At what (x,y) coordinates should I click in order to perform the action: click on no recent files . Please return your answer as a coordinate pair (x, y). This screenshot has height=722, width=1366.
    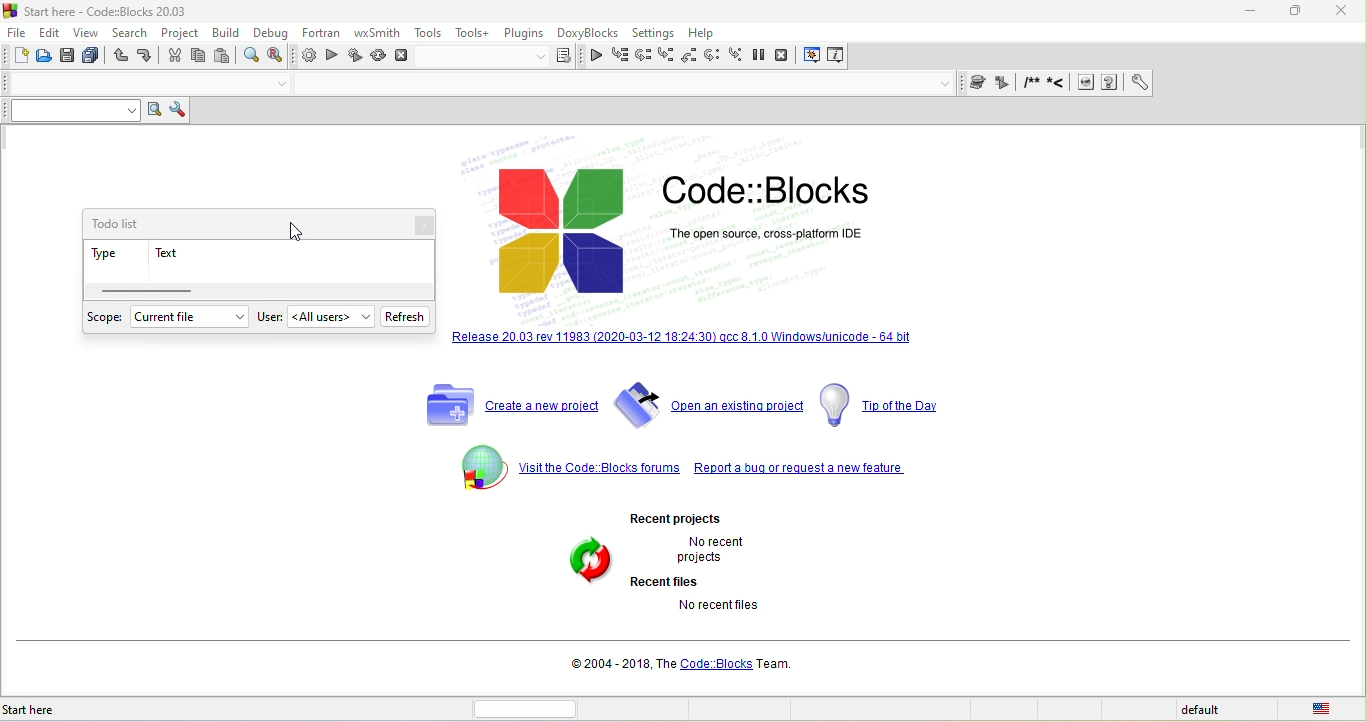
    Looking at the image, I should click on (741, 615).